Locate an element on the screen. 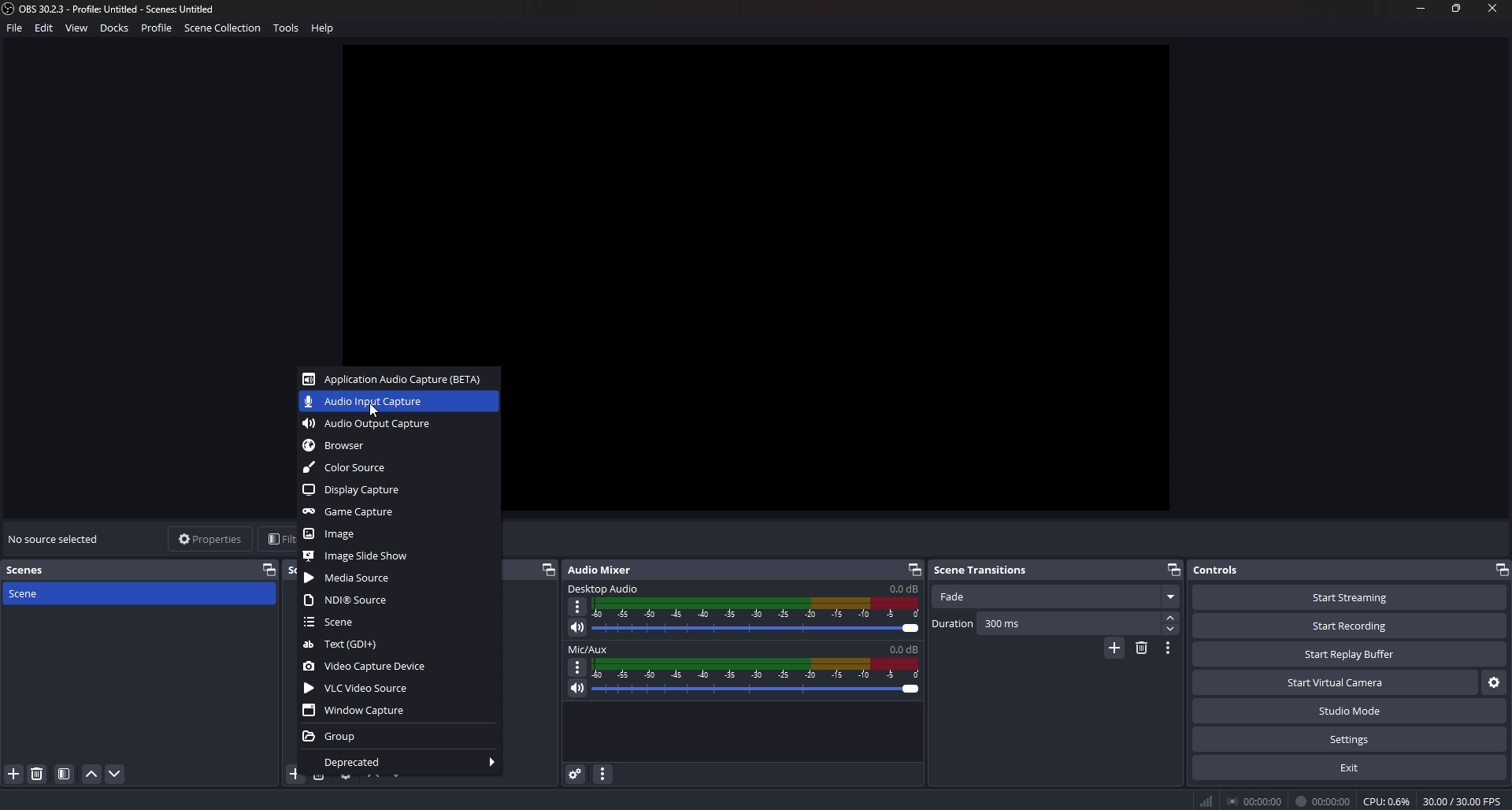 The image size is (1512, 810). volume level is located at coordinates (902, 649).